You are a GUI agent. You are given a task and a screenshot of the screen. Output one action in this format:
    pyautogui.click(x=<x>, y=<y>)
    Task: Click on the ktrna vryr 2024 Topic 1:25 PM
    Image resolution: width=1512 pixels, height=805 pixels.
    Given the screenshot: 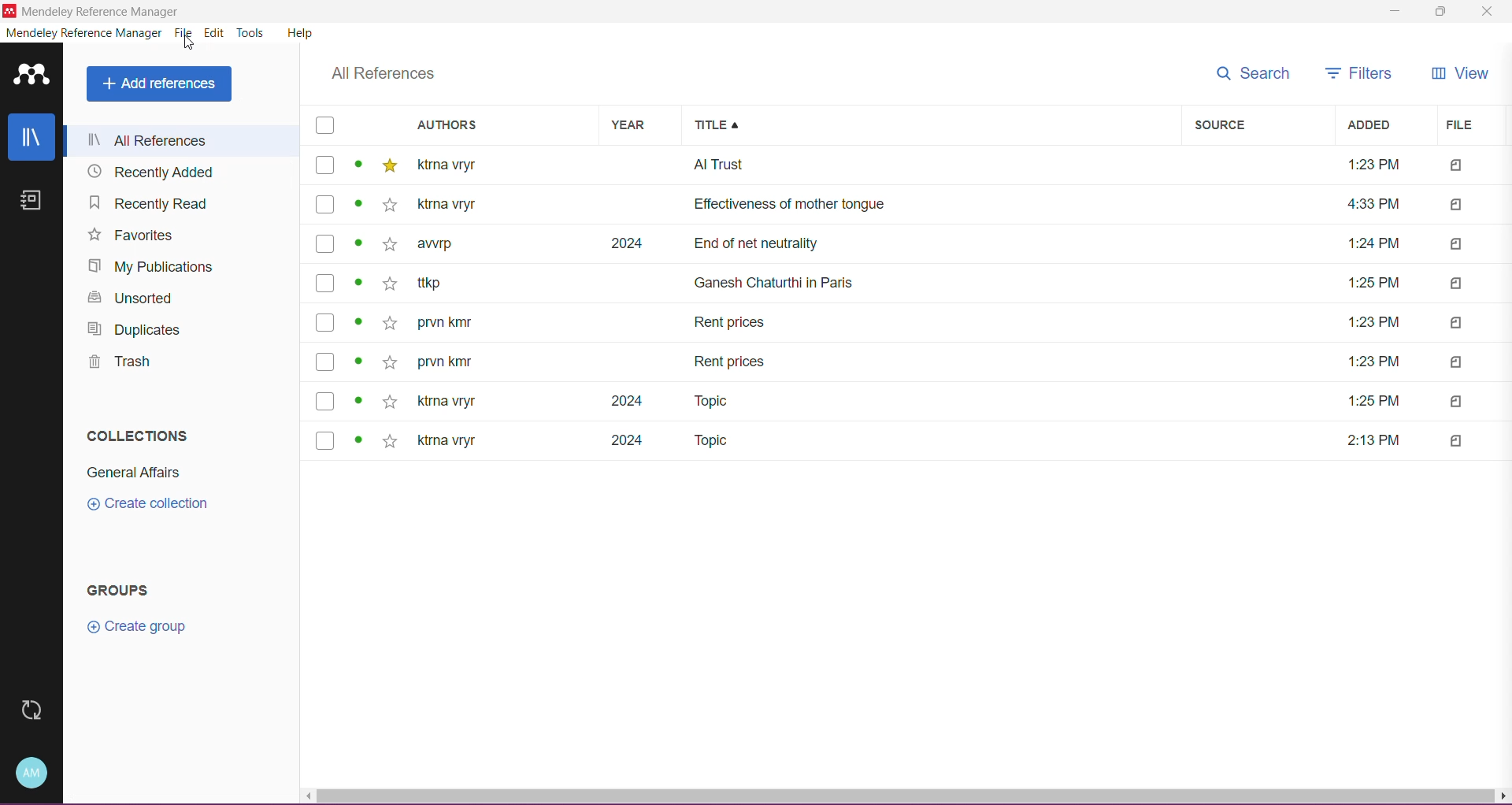 What is the action you would take?
    pyautogui.click(x=910, y=401)
    